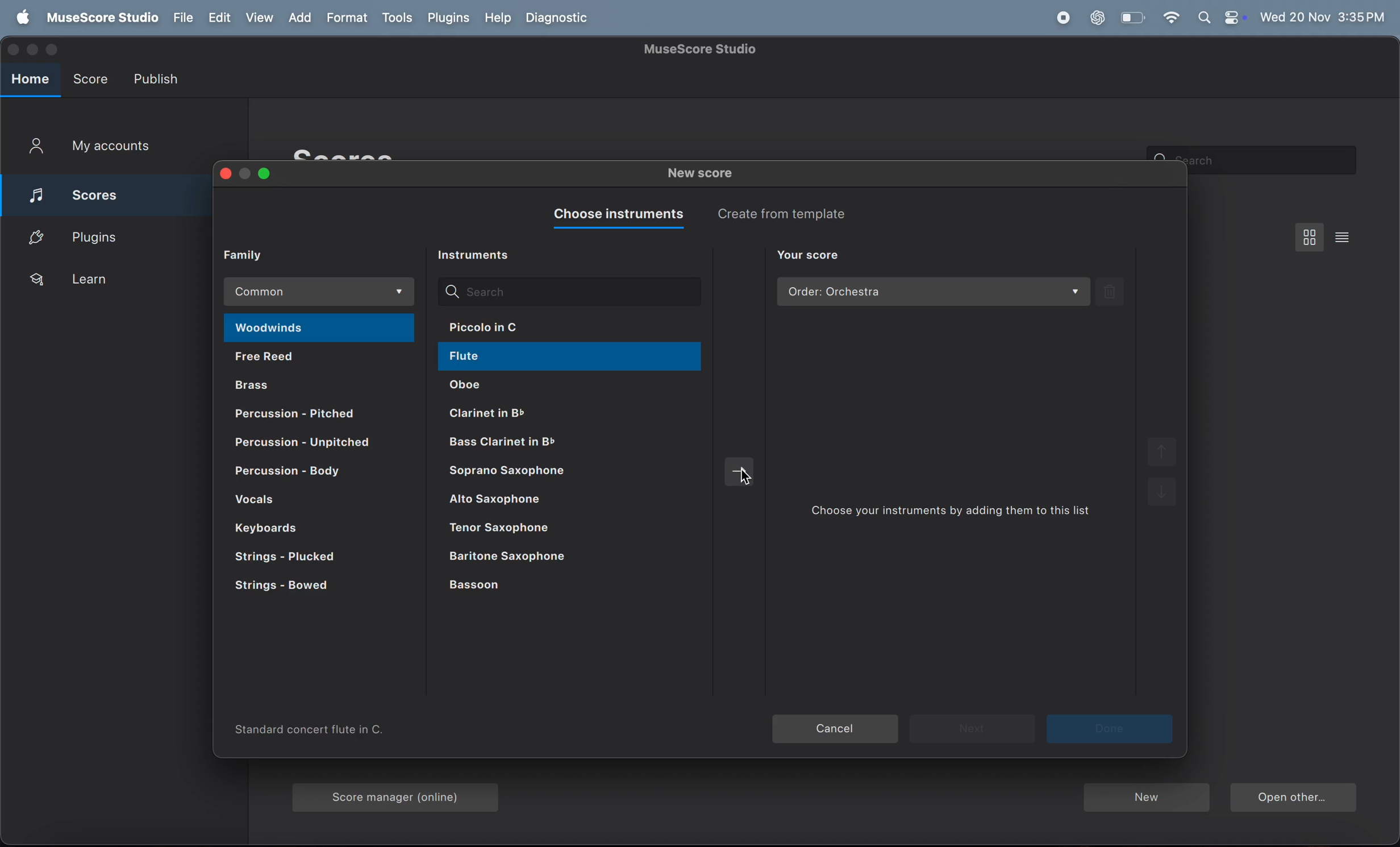 This screenshot has height=847, width=1400. What do you see at coordinates (159, 78) in the screenshot?
I see `publish` at bounding box center [159, 78].